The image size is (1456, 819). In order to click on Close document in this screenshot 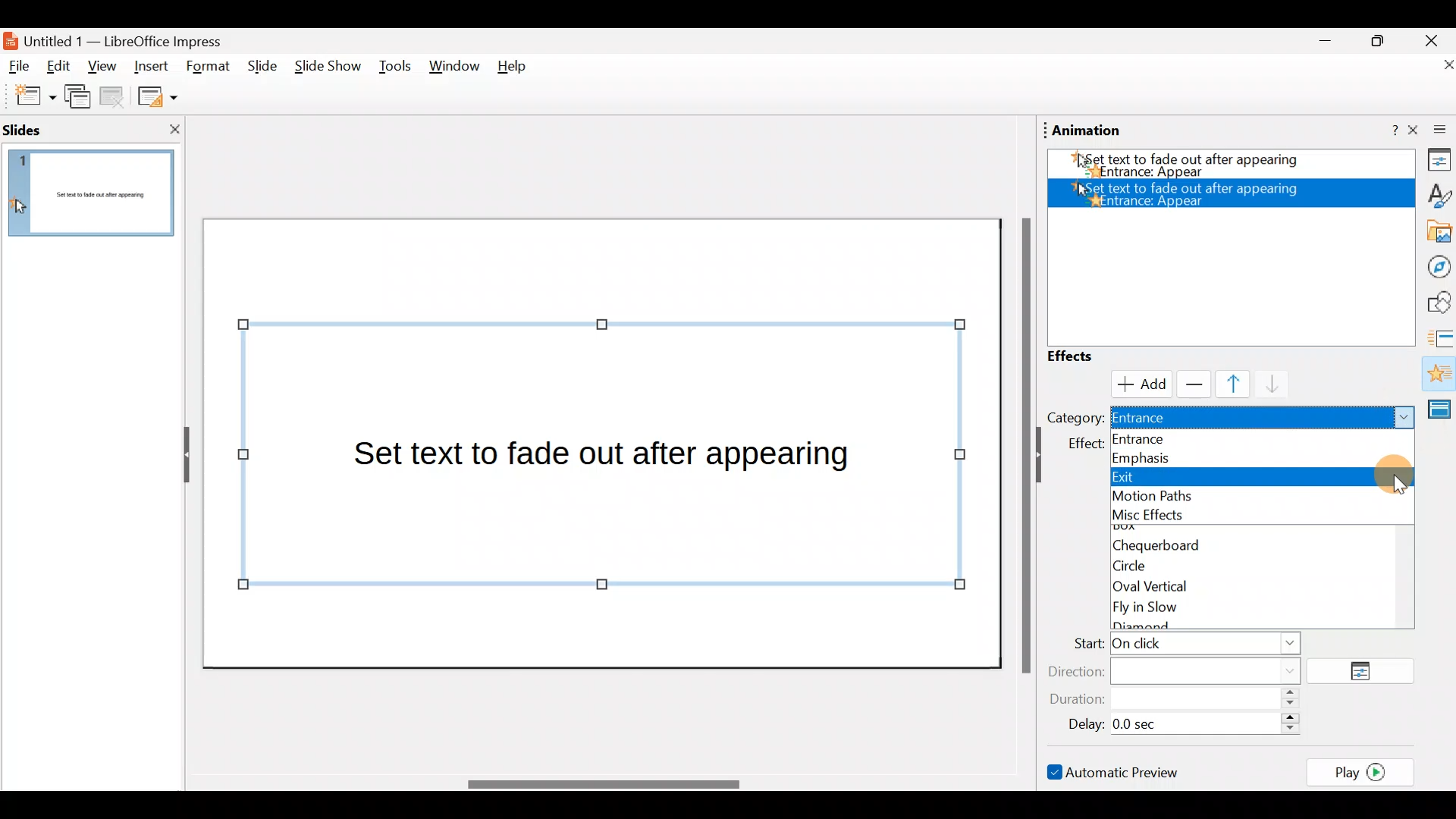, I will do `click(1433, 66)`.